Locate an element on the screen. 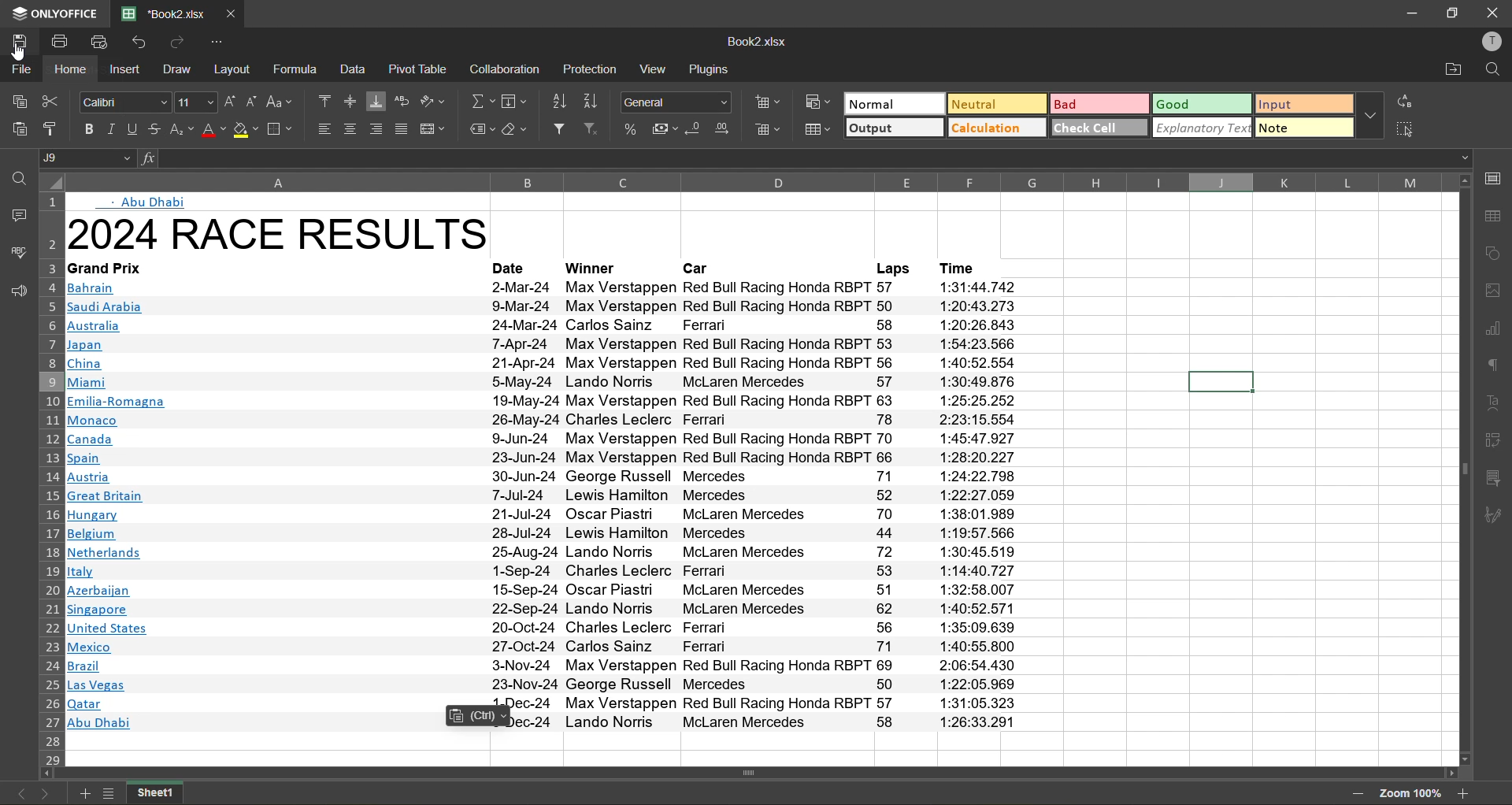 Image resolution: width=1512 pixels, height=805 pixels. cell address is located at coordinates (89, 158).